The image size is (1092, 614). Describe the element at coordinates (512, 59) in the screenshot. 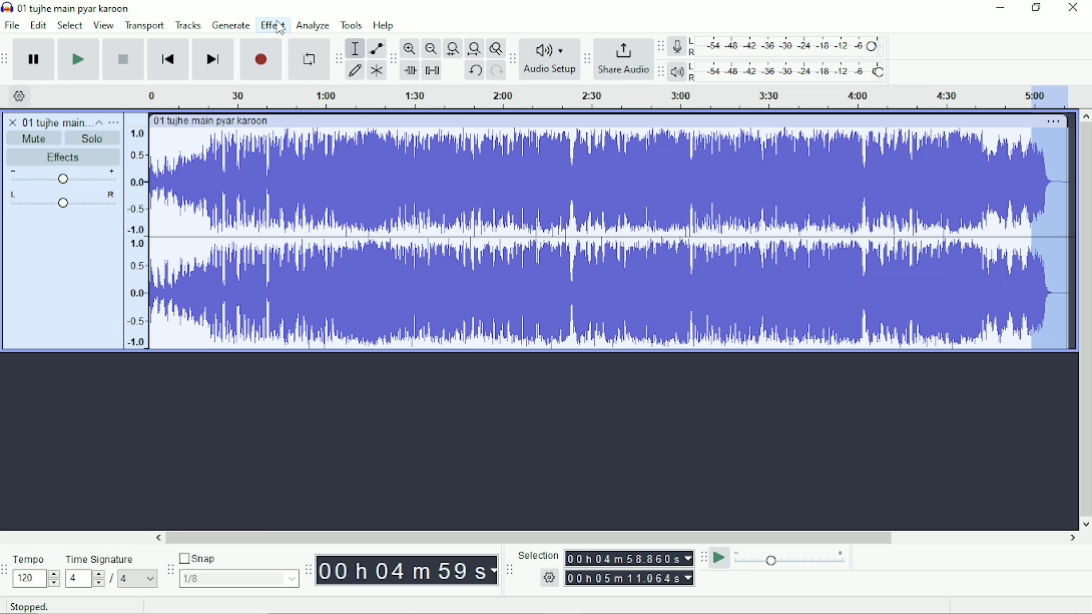

I see `Audacity audio setup toolbar` at that location.